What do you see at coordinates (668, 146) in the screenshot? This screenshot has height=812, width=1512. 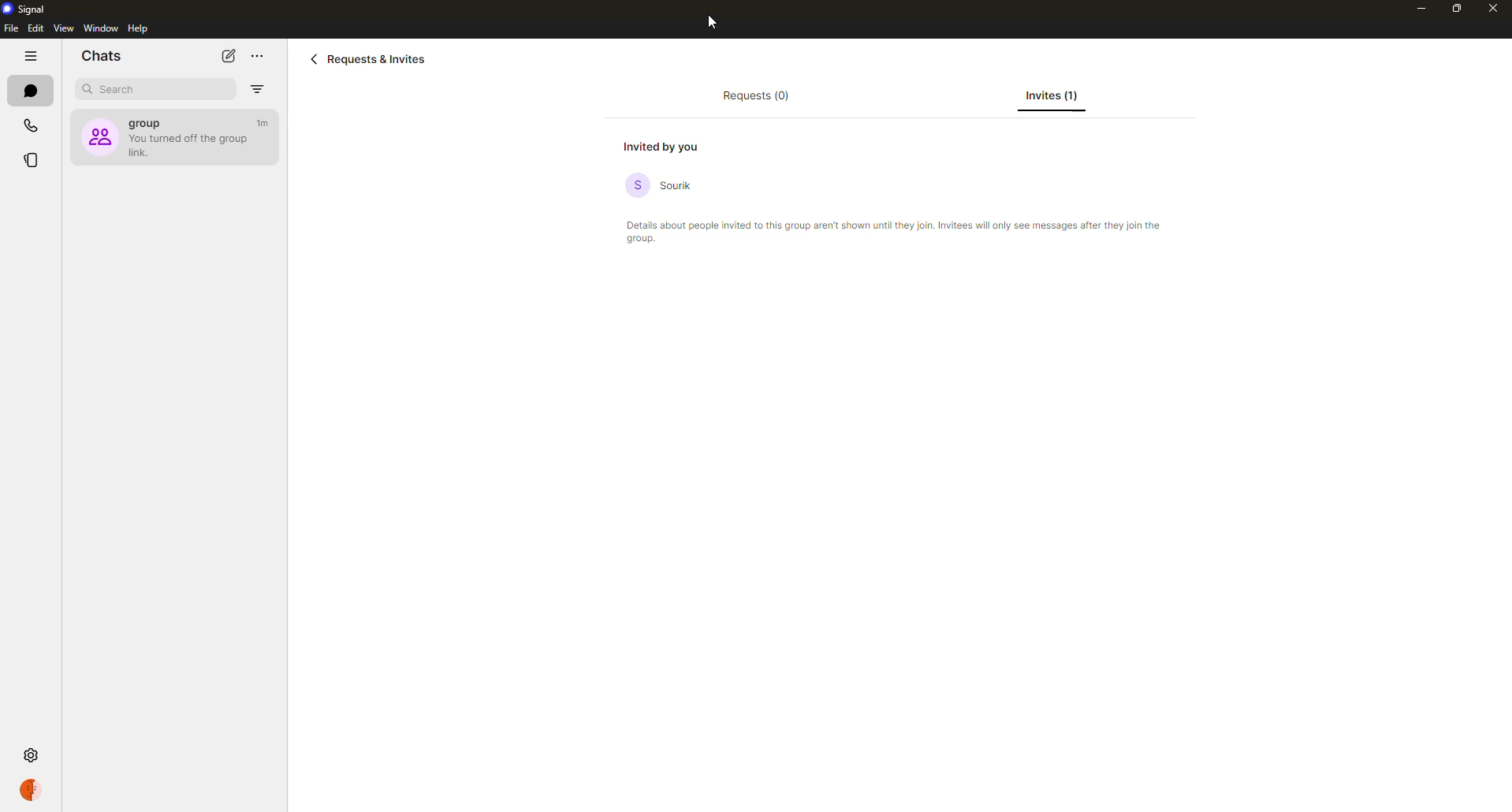 I see `invited by you` at bounding box center [668, 146].